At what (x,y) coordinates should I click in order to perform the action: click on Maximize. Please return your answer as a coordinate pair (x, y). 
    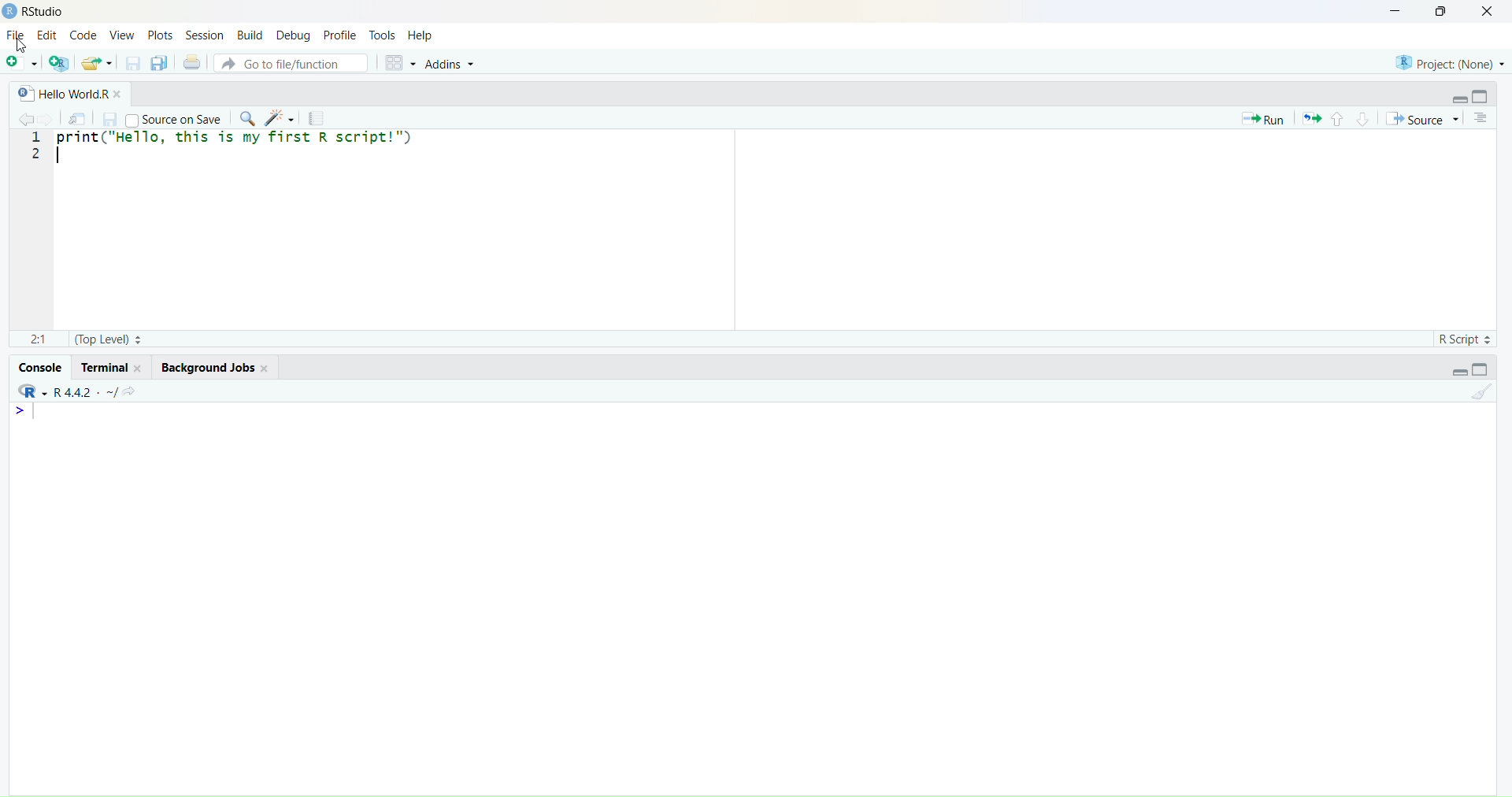
    Looking at the image, I should click on (1444, 11).